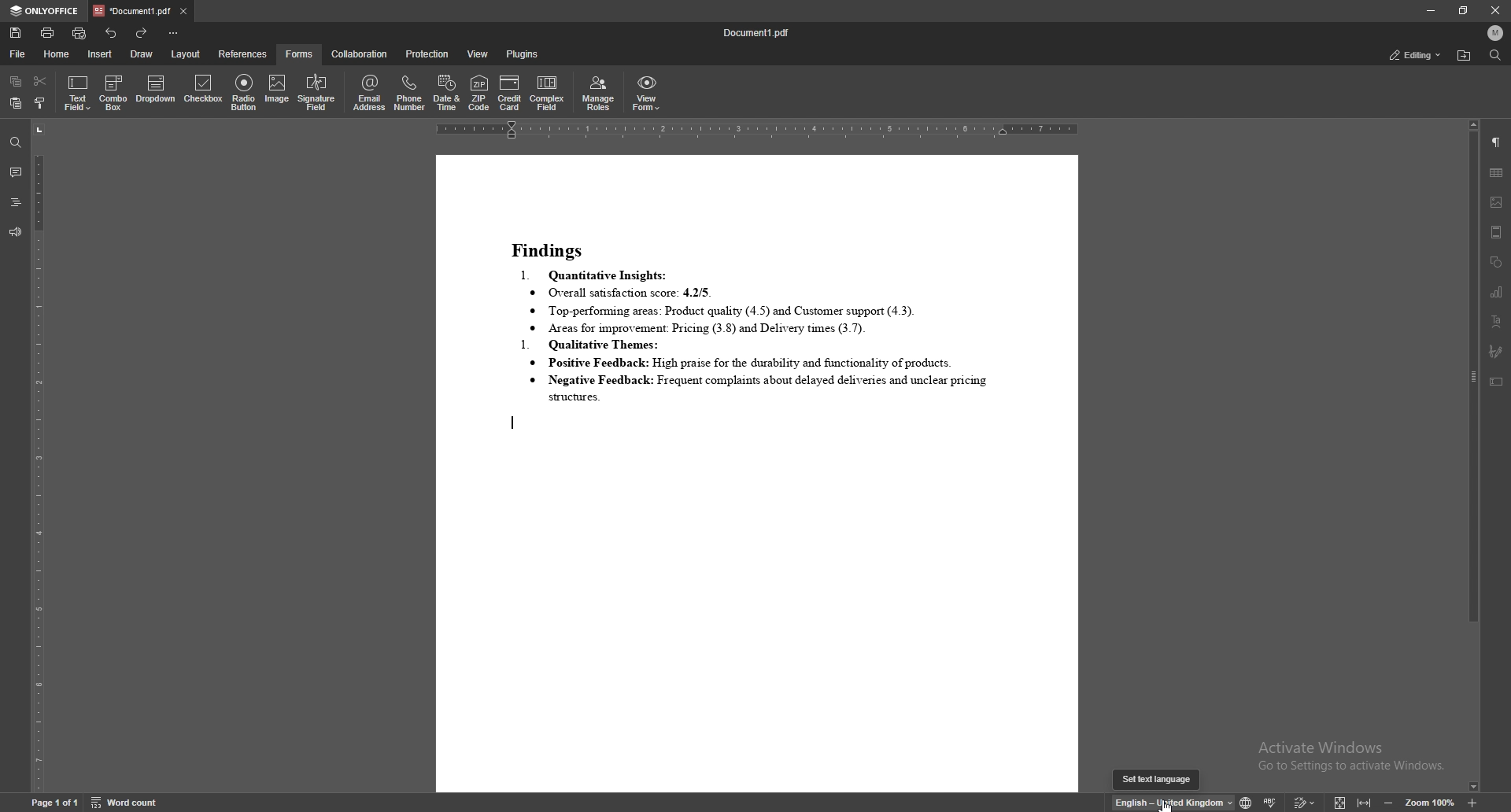 This screenshot has height=812, width=1511. I want to click on resize, so click(1463, 10).